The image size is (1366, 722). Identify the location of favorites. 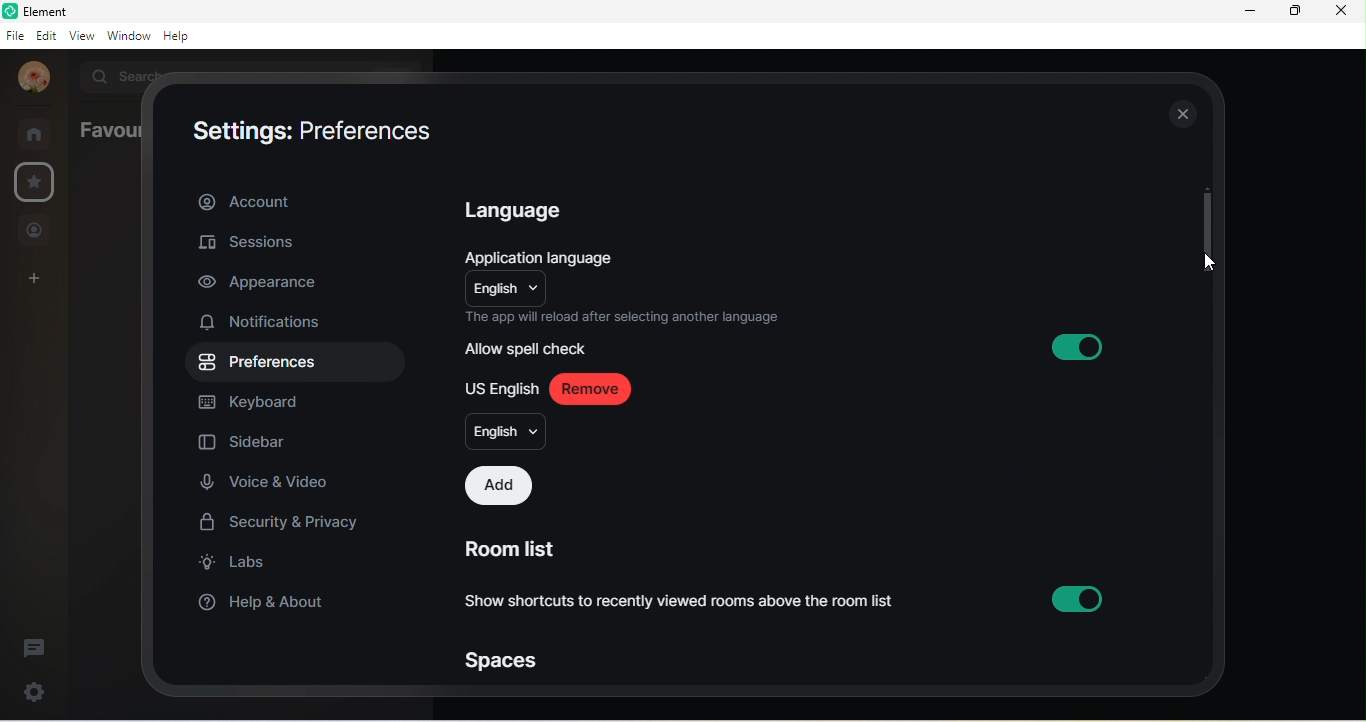
(33, 182).